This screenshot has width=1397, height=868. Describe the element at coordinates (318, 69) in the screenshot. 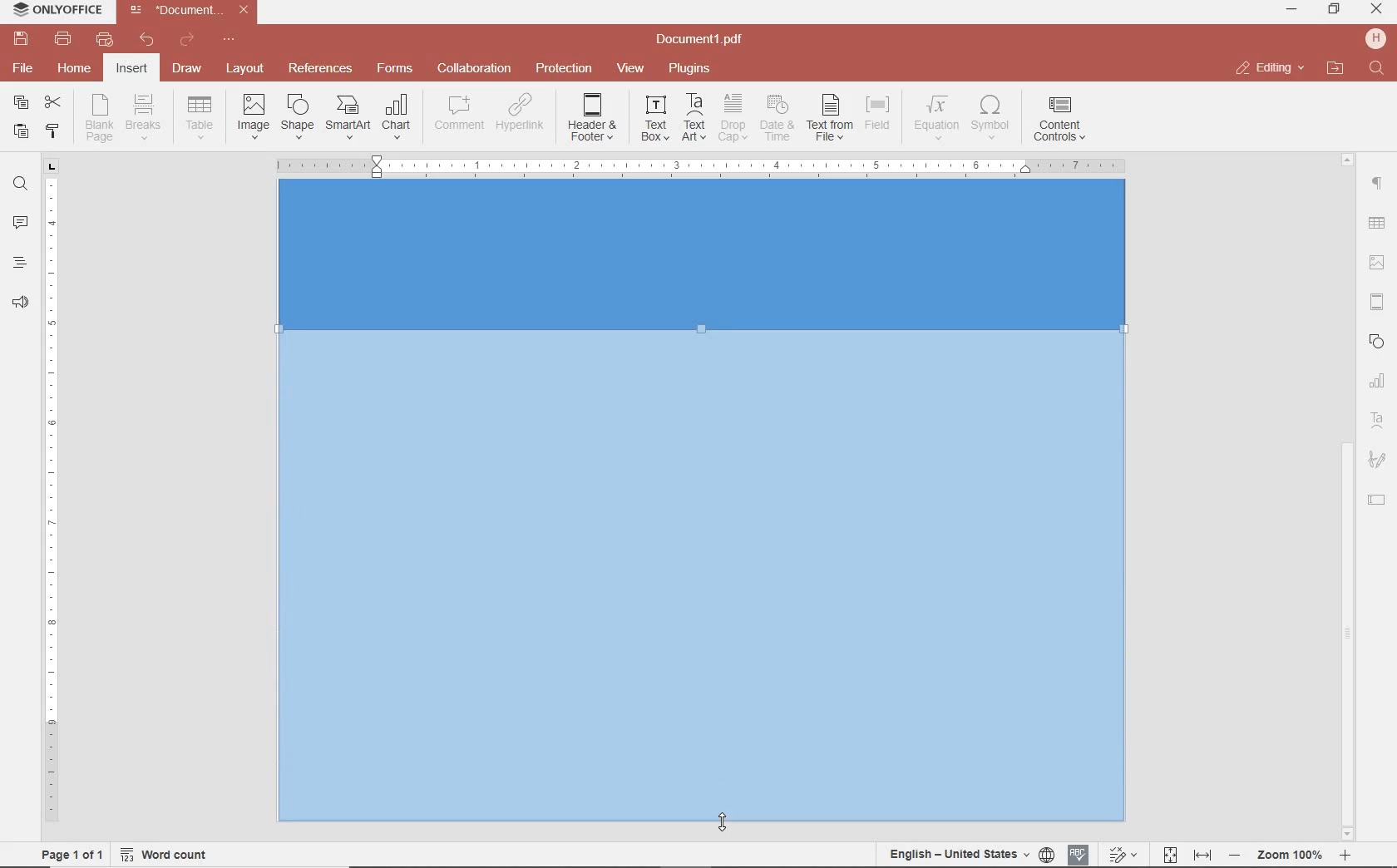

I see `reference` at that location.